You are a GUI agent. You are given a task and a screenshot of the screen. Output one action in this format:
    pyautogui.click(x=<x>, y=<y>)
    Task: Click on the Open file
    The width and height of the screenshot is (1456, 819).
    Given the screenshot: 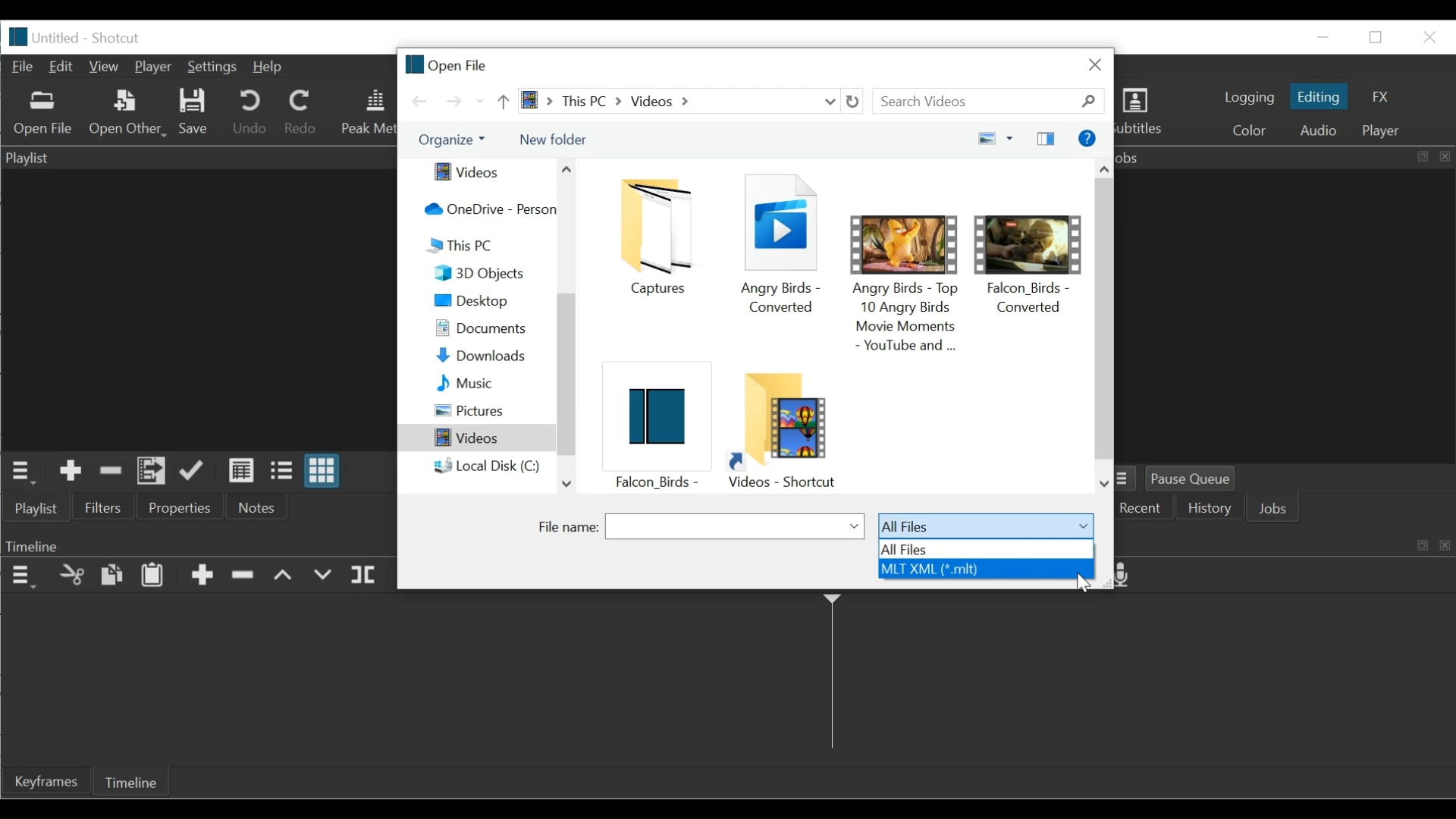 What is the action you would take?
    pyautogui.click(x=447, y=63)
    